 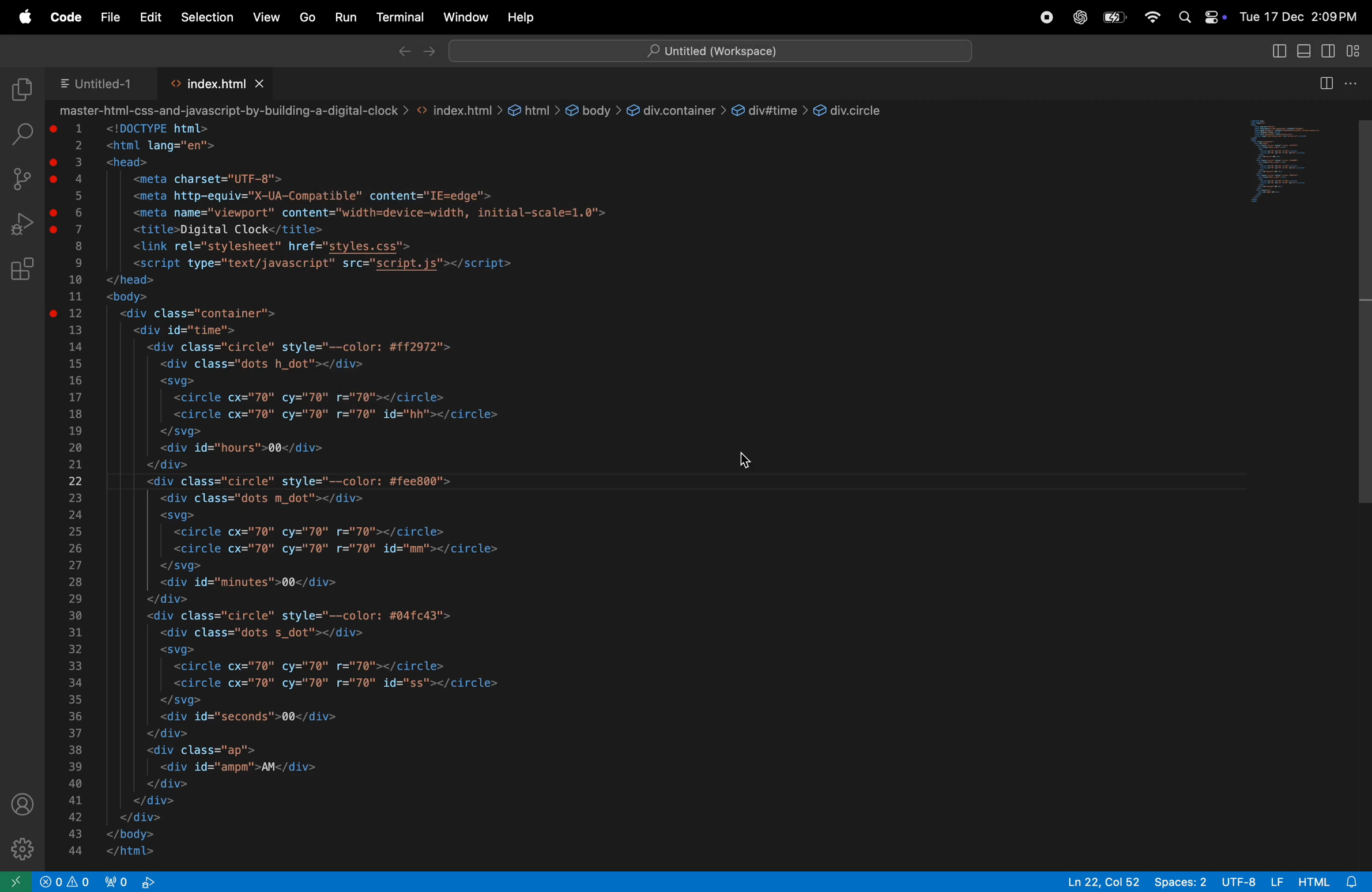 I want to click on apple menu, so click(x=26, y=16).